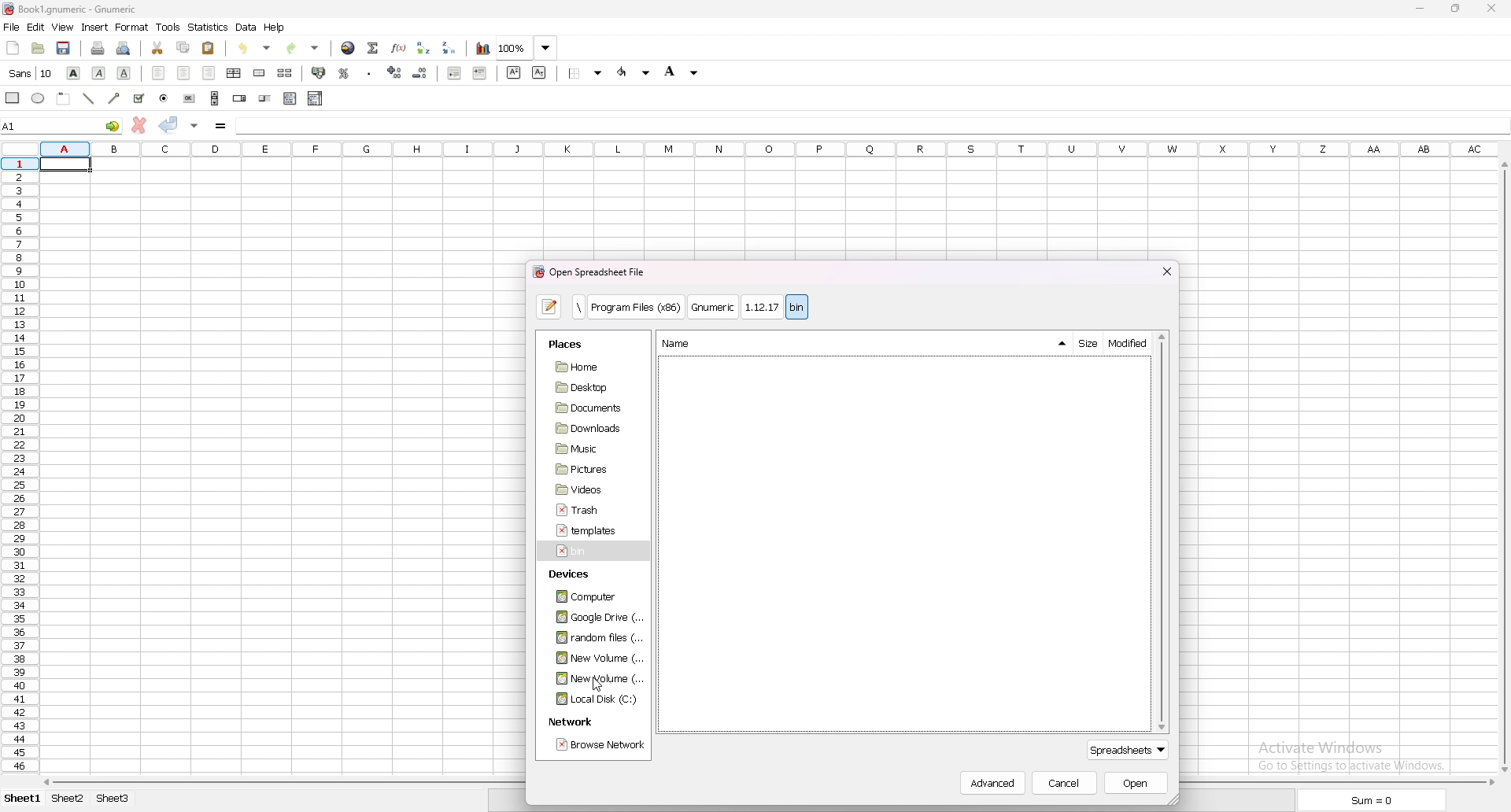 This screenshot has height=812, width=1511. What do you see at coordinates (997, 785) in the screenshot?
I see `advanced` at bounding box center [997, 785].